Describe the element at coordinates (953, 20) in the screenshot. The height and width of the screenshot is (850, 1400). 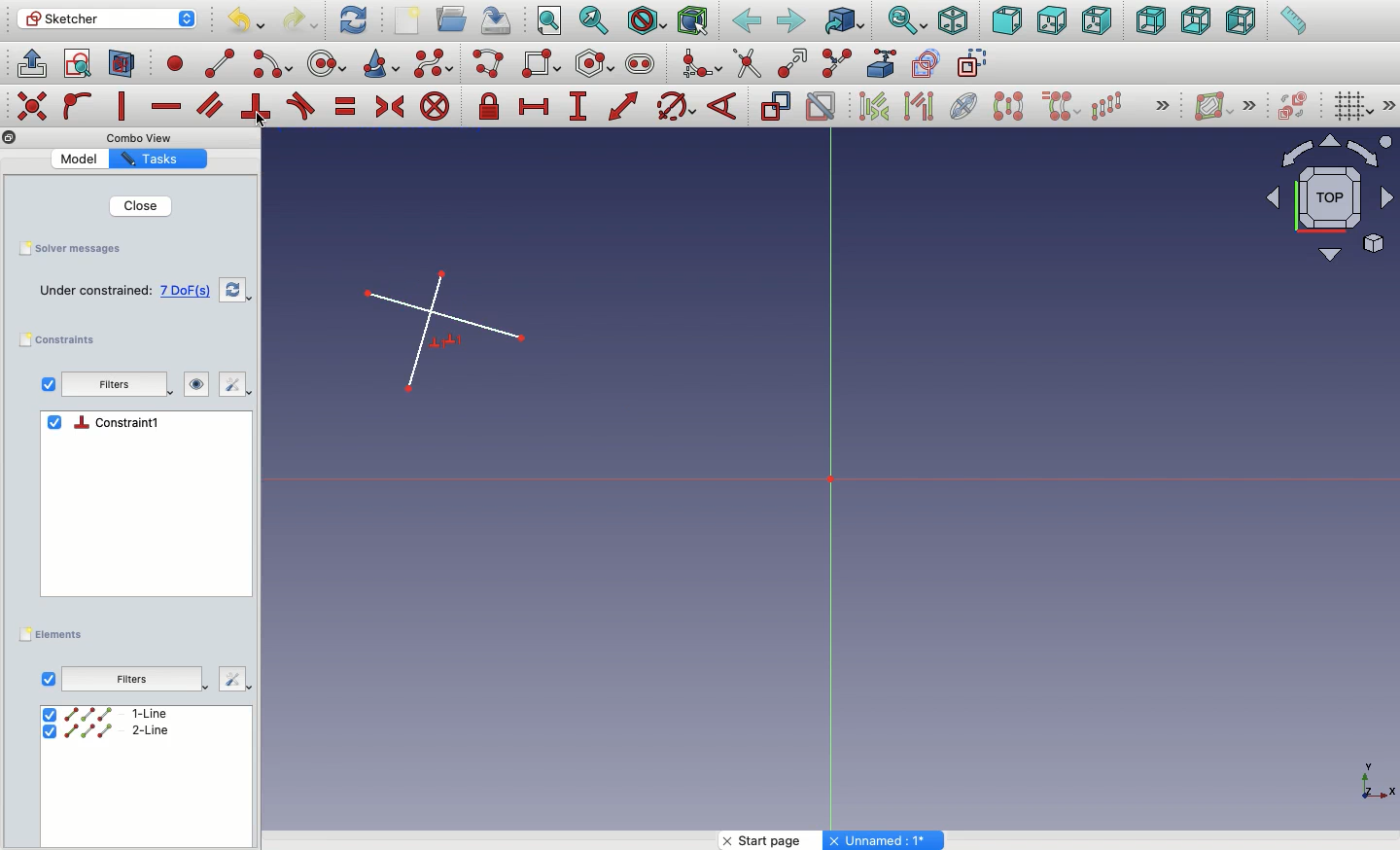
I see `Isometric` at that location.